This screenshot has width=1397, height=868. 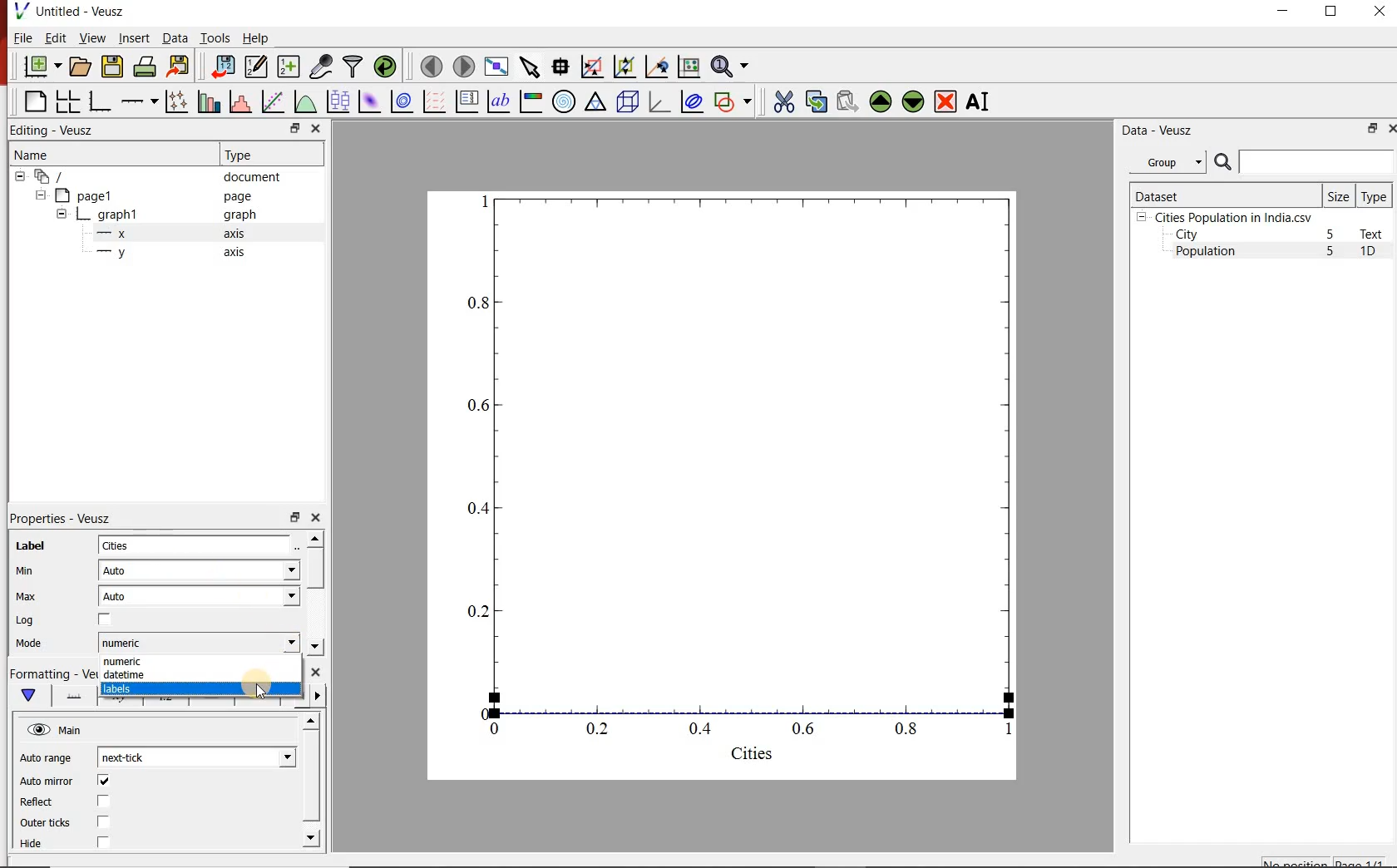 What do you see at coordinates (815, 100) in the screenshot?
I see `copy the selected widget` at bounding box center [815, 100].